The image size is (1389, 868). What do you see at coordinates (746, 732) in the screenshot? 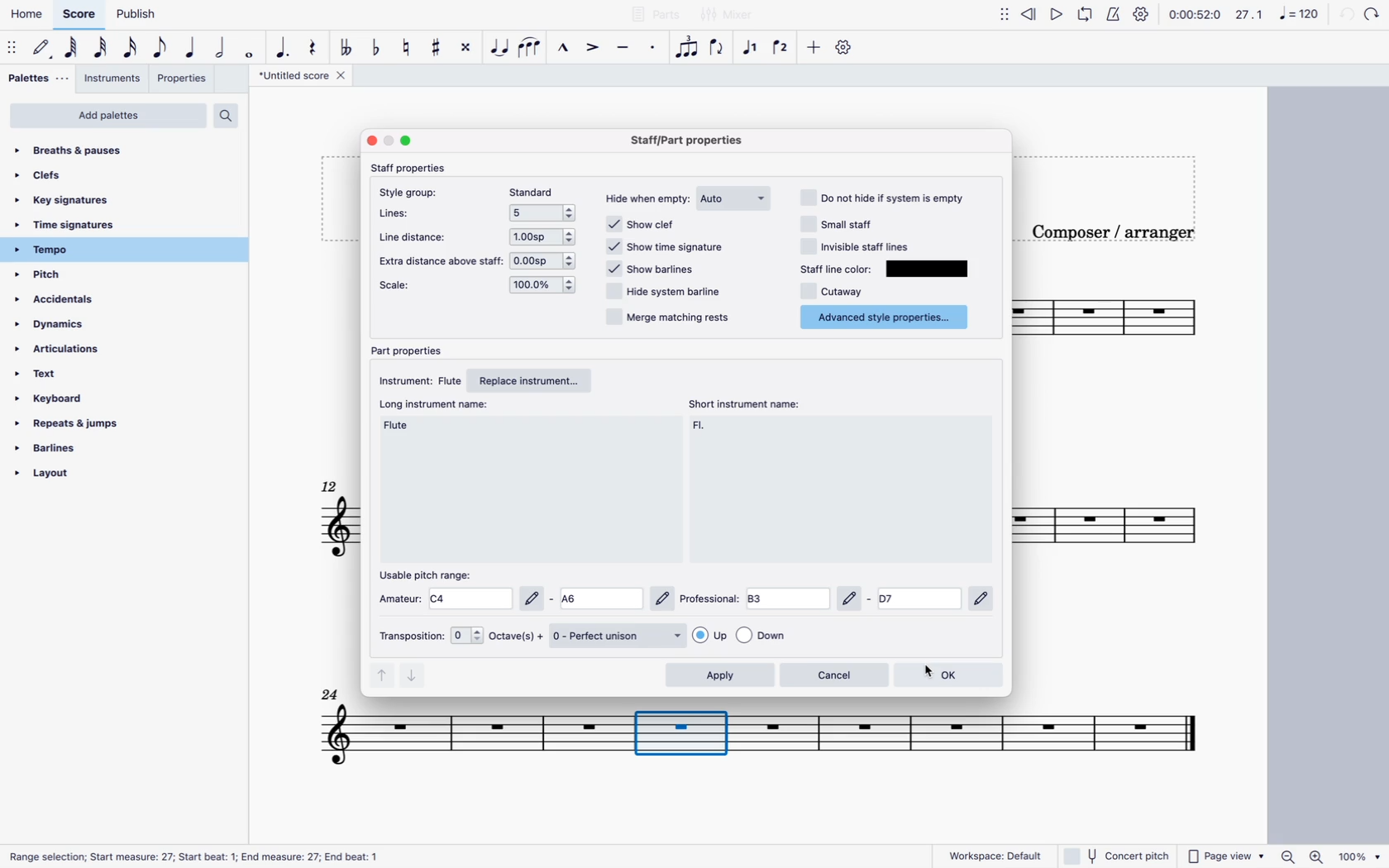
I see `` at bounding box center [746, 732].